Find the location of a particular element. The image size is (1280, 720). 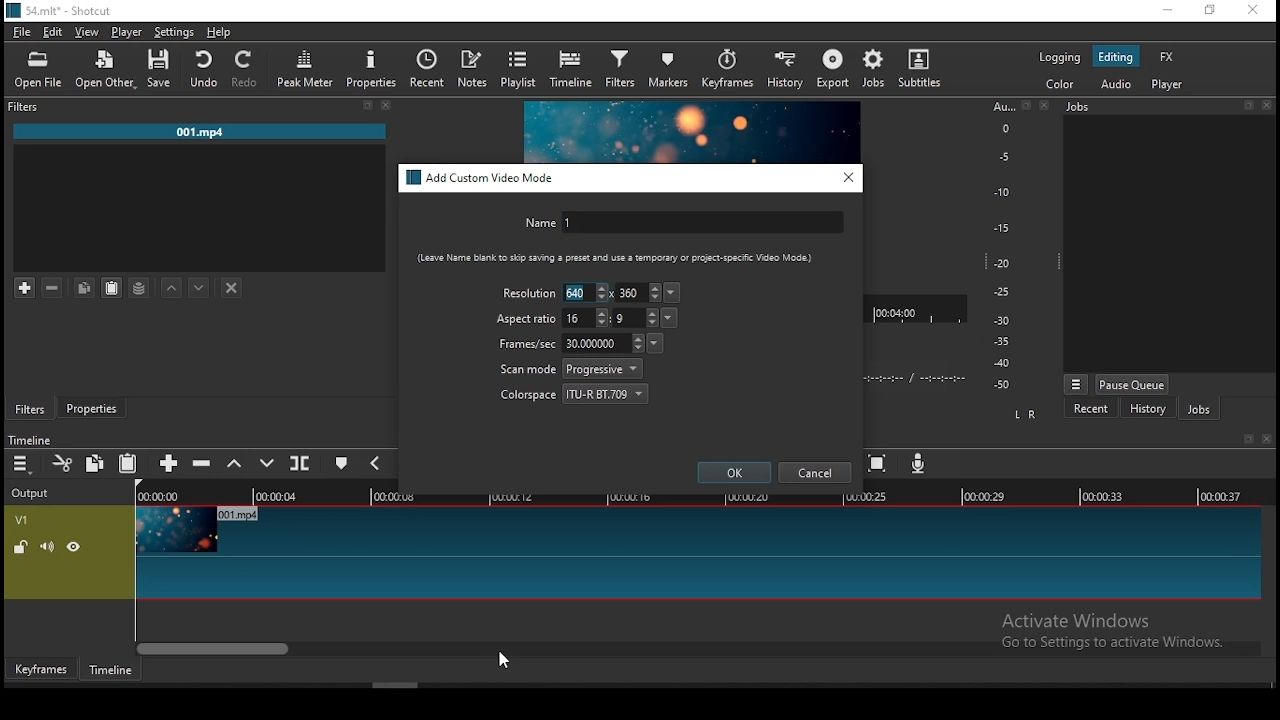

00:04:00 is located at coordinates (898, 309).